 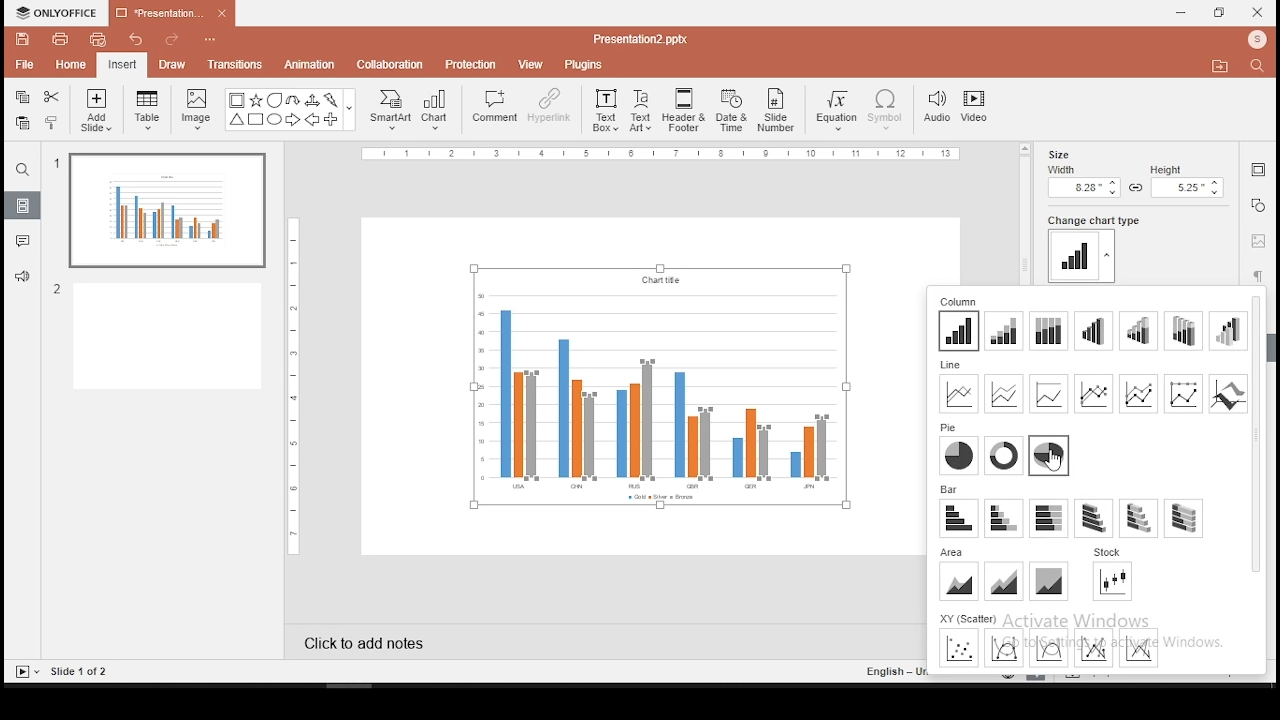 I want to click on text box, so click(x=605, y=111).